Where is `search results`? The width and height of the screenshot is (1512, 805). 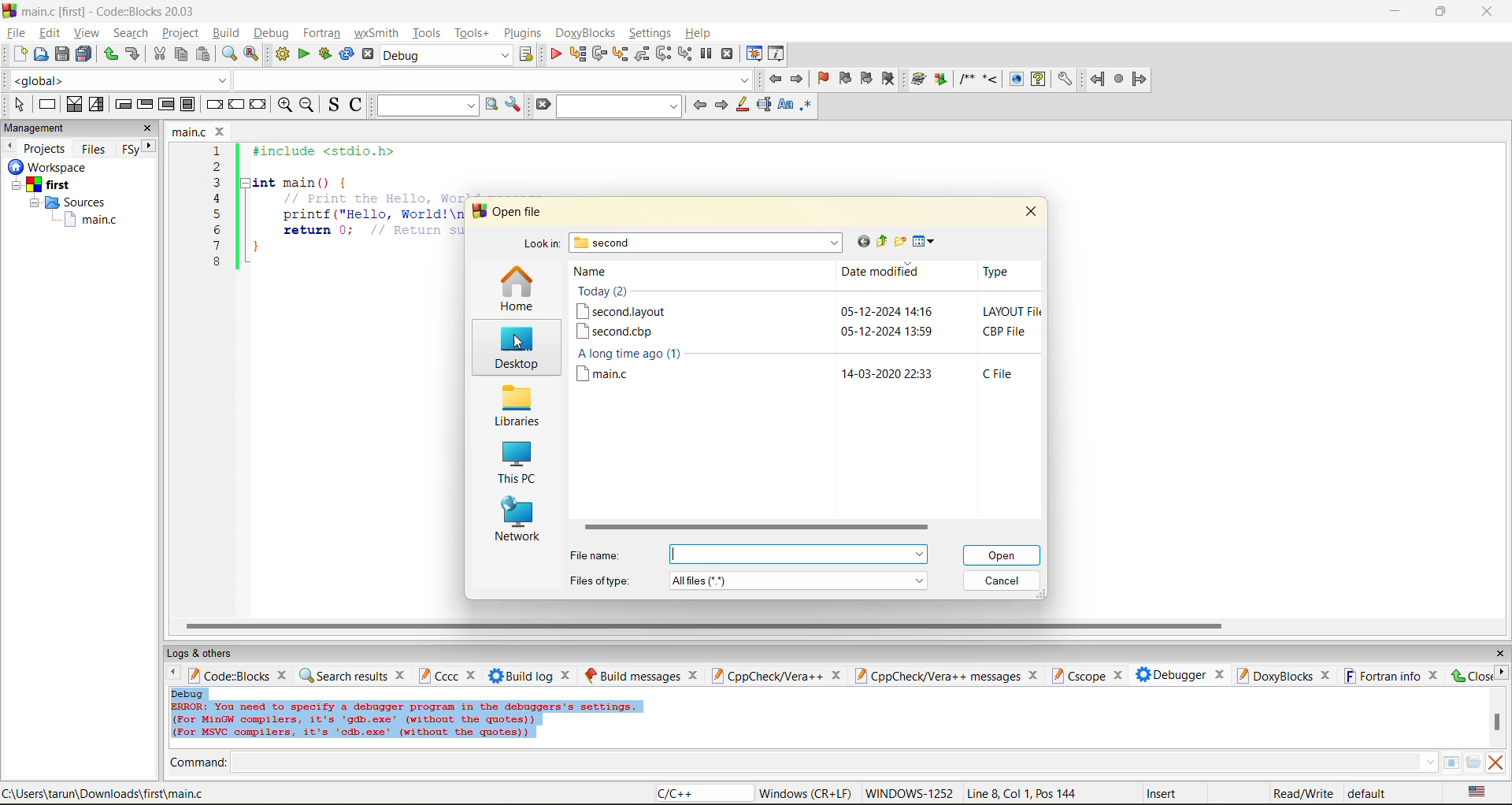 search results is located at coordinates (343, 675).